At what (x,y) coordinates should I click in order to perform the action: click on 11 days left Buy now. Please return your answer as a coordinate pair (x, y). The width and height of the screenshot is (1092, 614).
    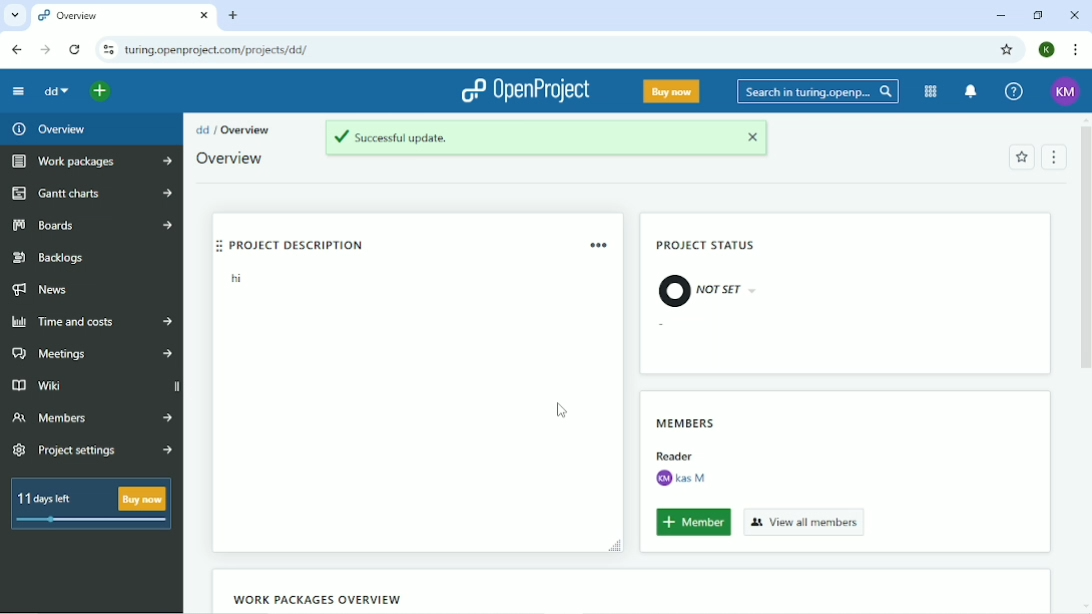
    Looking at the image, I should click on (91, 504).